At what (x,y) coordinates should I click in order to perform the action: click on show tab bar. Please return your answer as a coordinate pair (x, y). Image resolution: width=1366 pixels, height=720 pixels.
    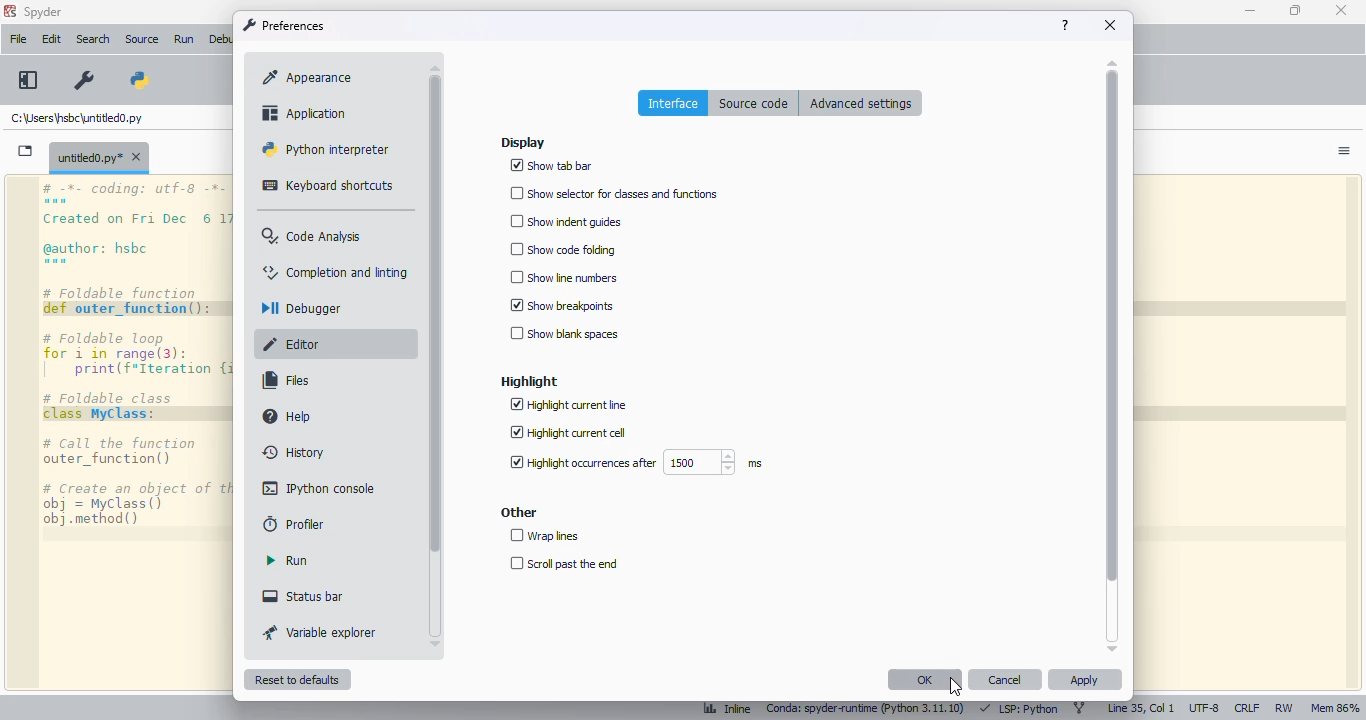
    Looking at the image, I should click on (552, 166).